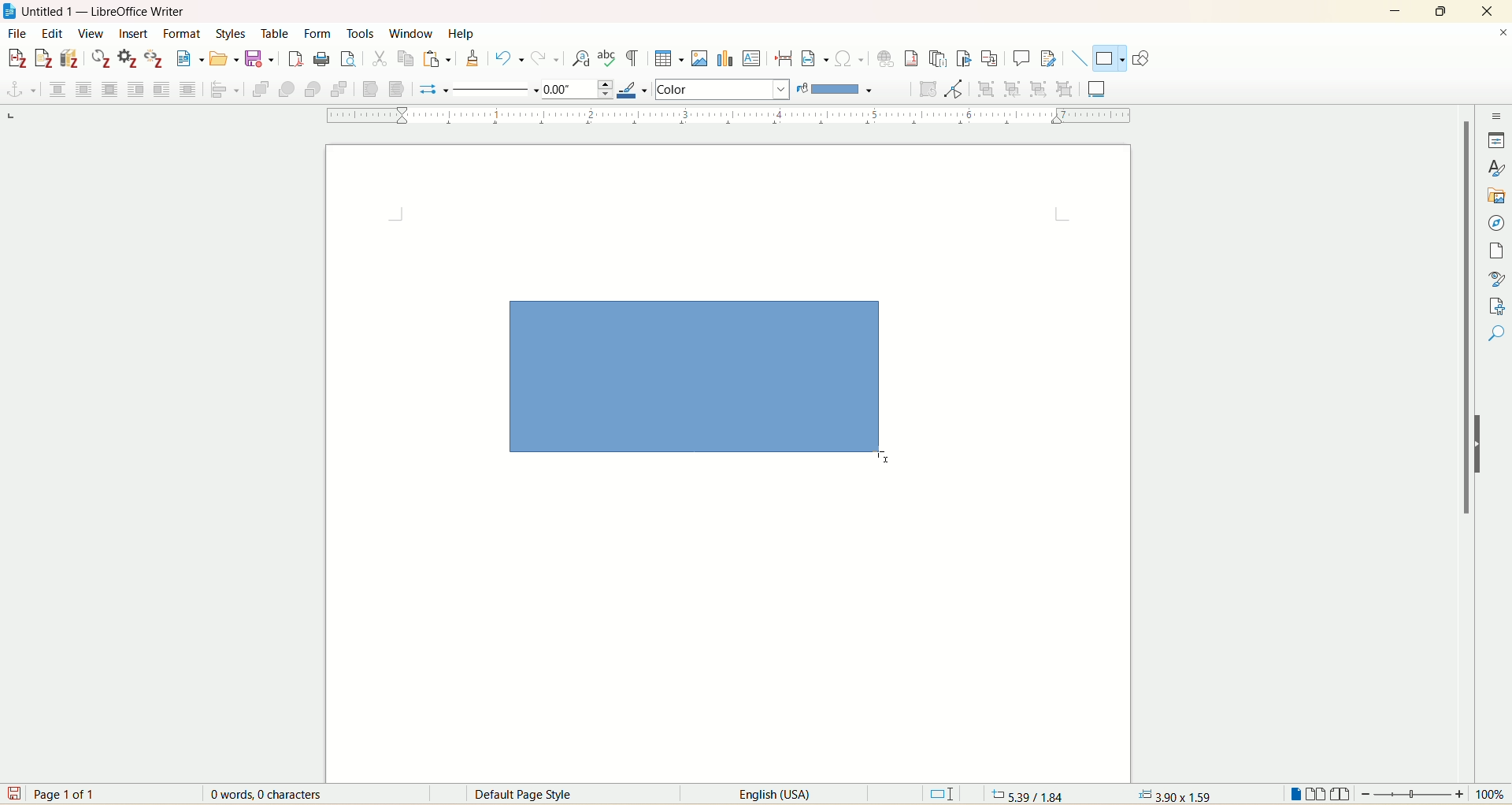  What do you see at coordinates (849, 58) in the screenshot?
I see `insert symbol` at bounding box center [849, 58].